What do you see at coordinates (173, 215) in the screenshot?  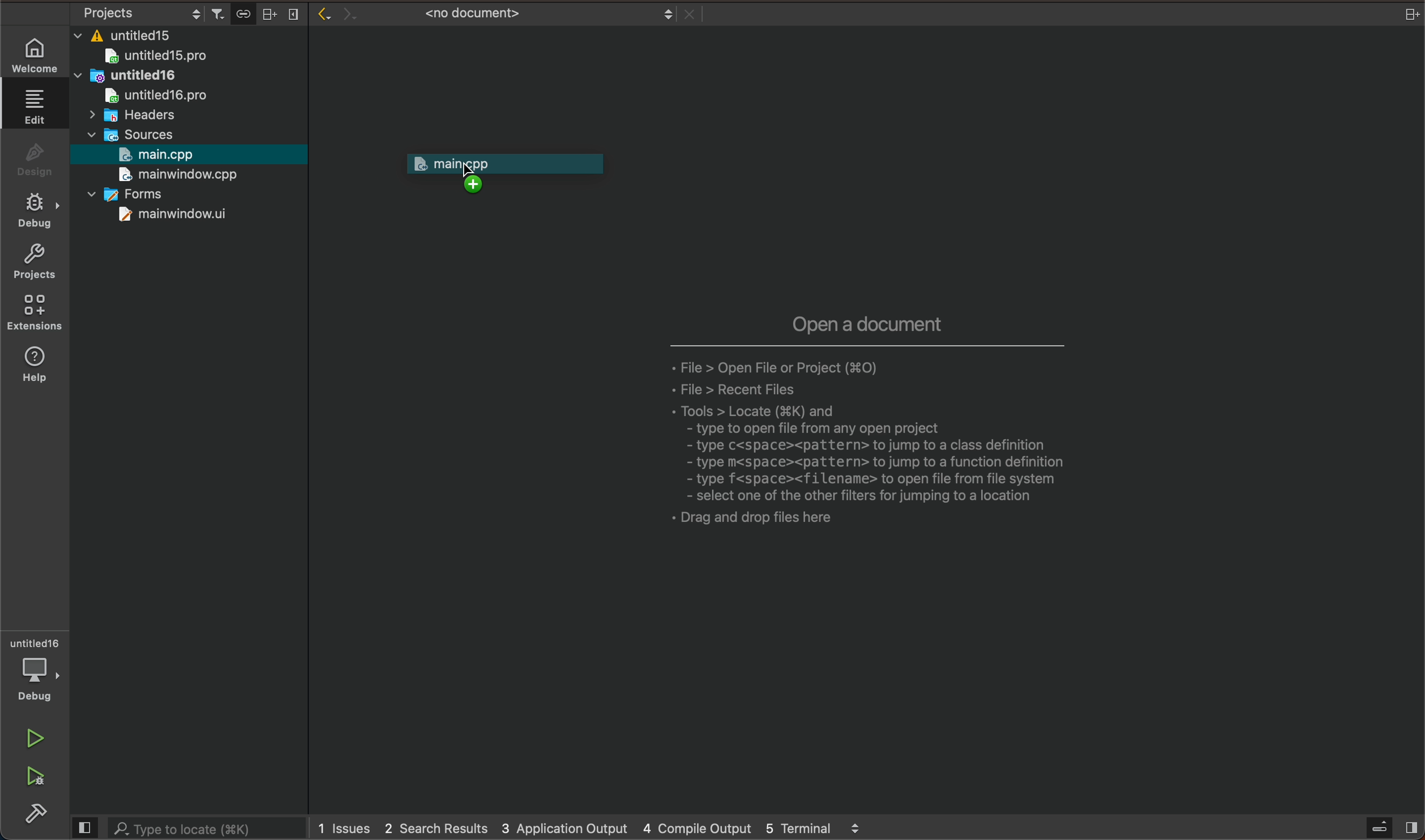 I see `mainwindow` at bounding box center [173, 215].